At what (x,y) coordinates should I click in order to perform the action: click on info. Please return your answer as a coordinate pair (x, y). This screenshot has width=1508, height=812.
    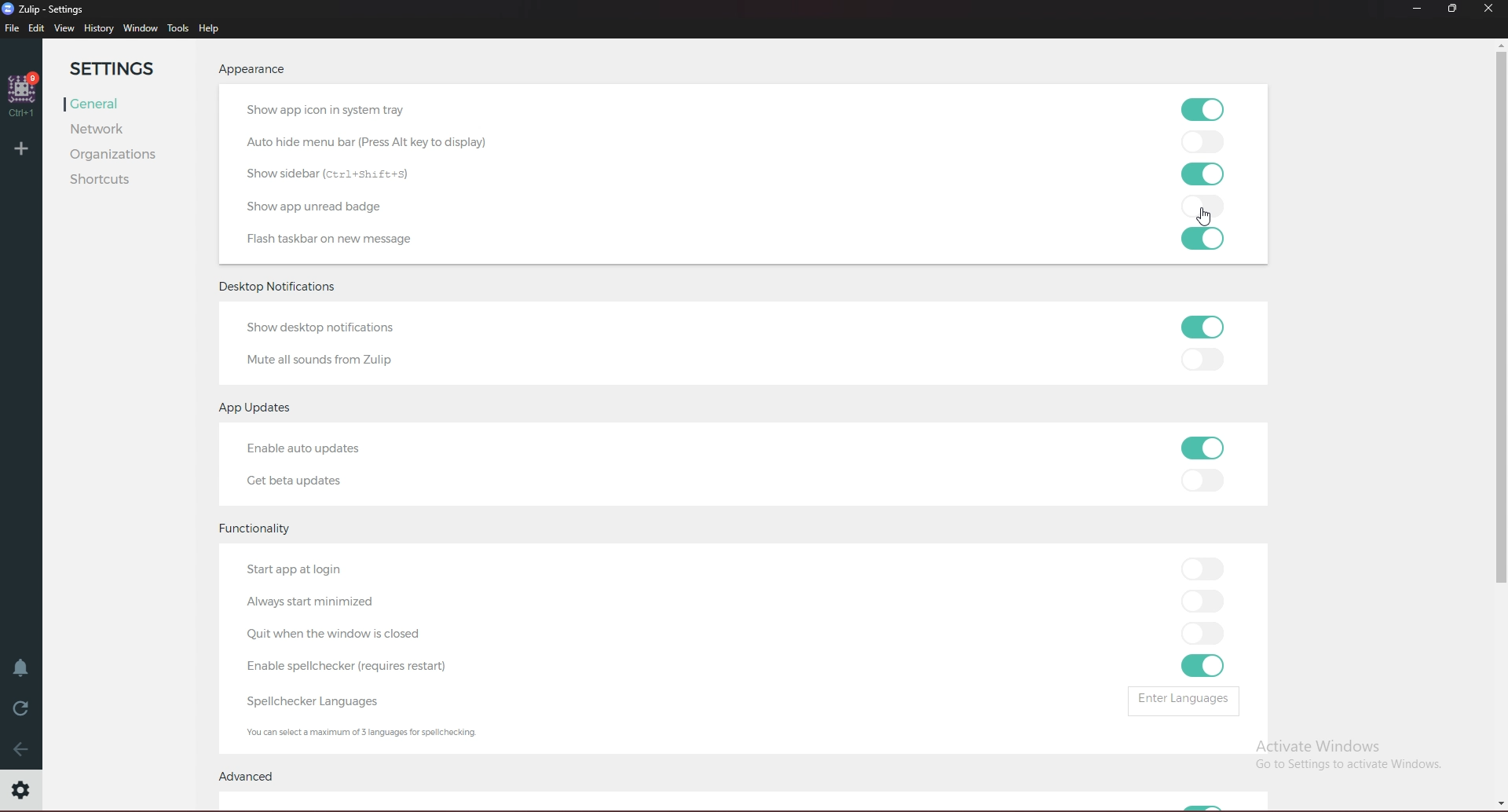
    Looking at the image, I should click on (366, 731).